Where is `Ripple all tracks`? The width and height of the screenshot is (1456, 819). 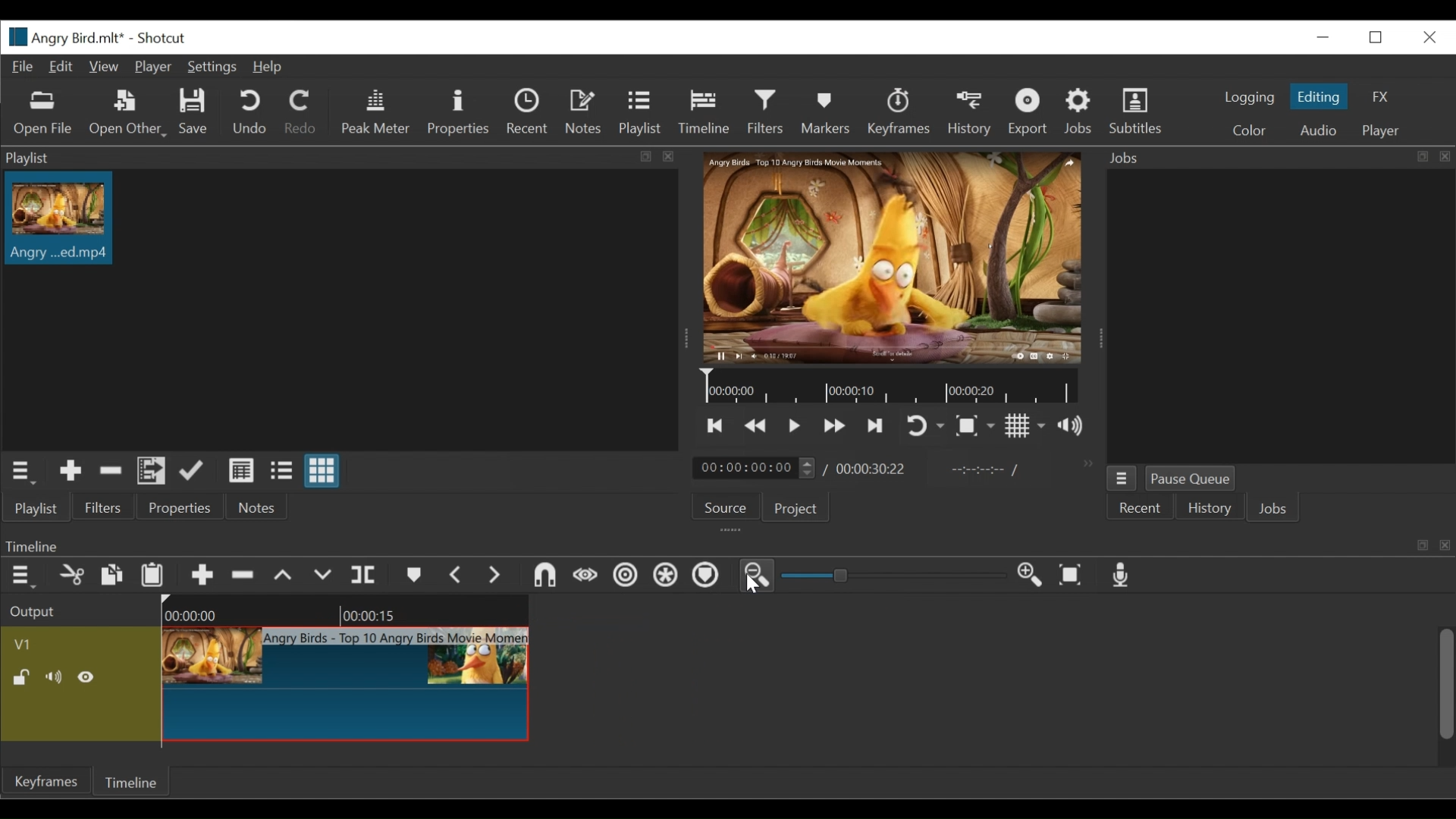 Ripple all tracks is located at coordinates (667, 576).